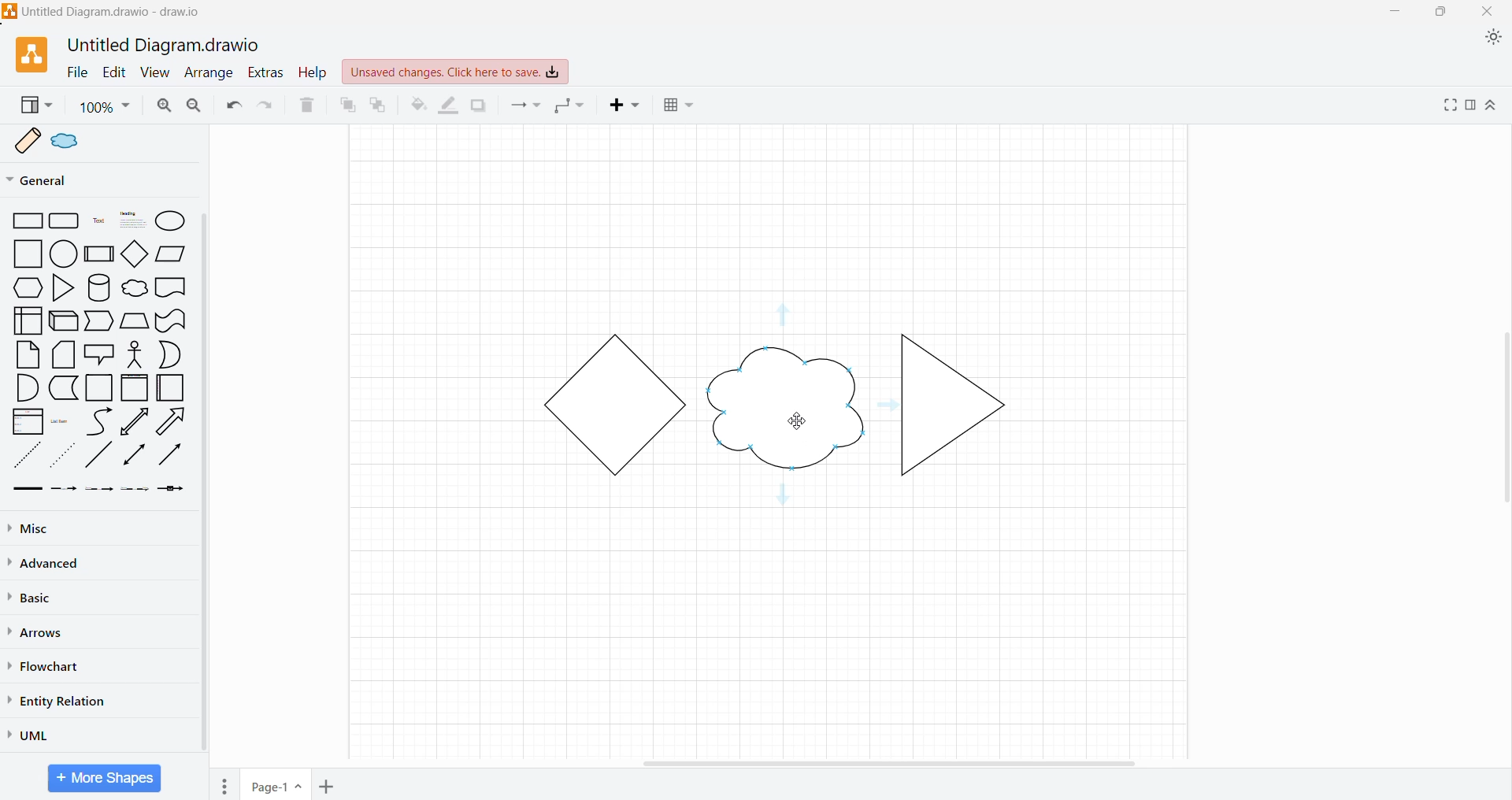  What do you see at coordinates (309, 106) in the screenshot?
I see `Delete` at bounding box center [309, 106].